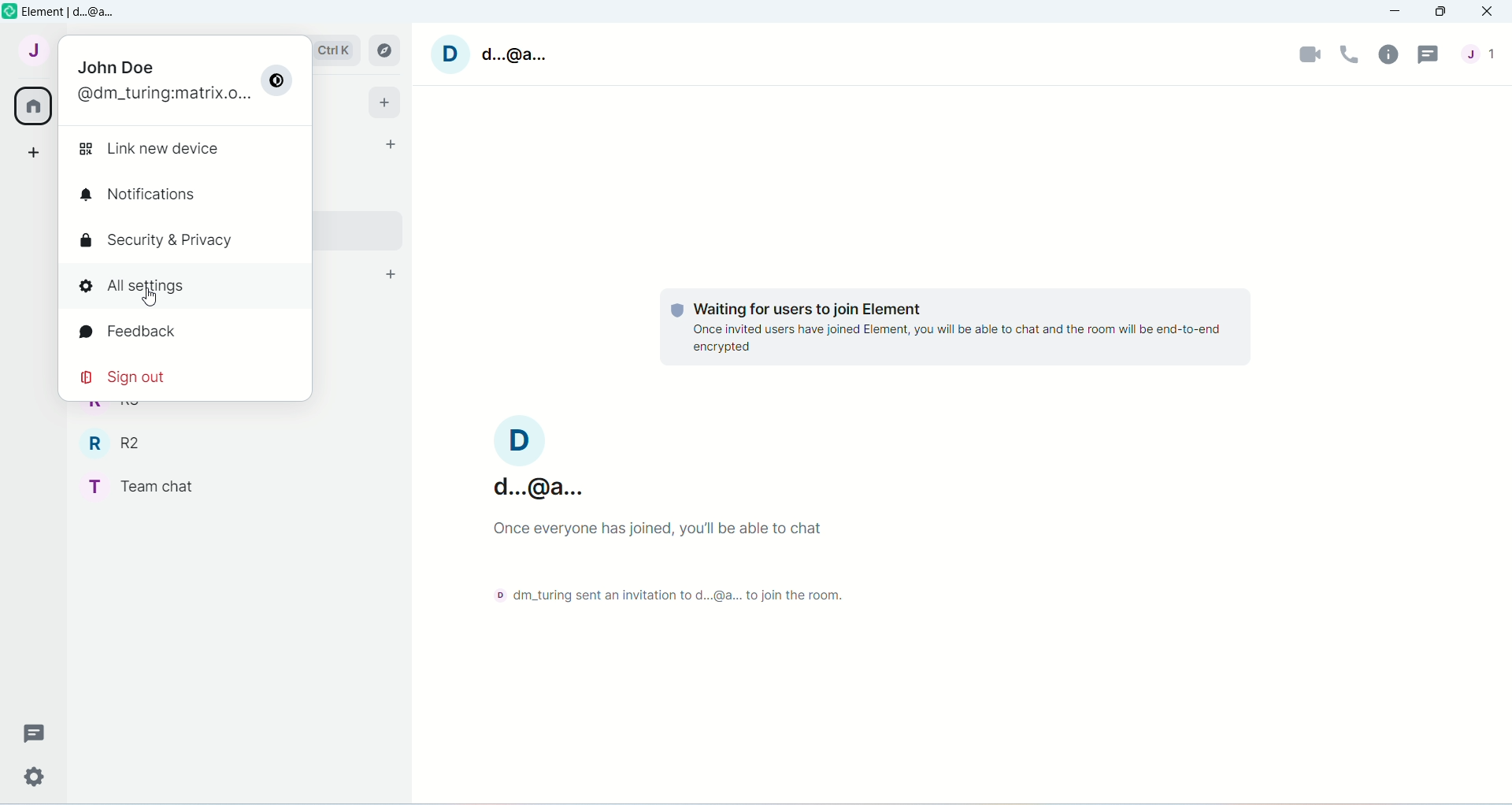  Describe the element at coordinates (1482, 59) in the screenshot. I see `People` at that location.